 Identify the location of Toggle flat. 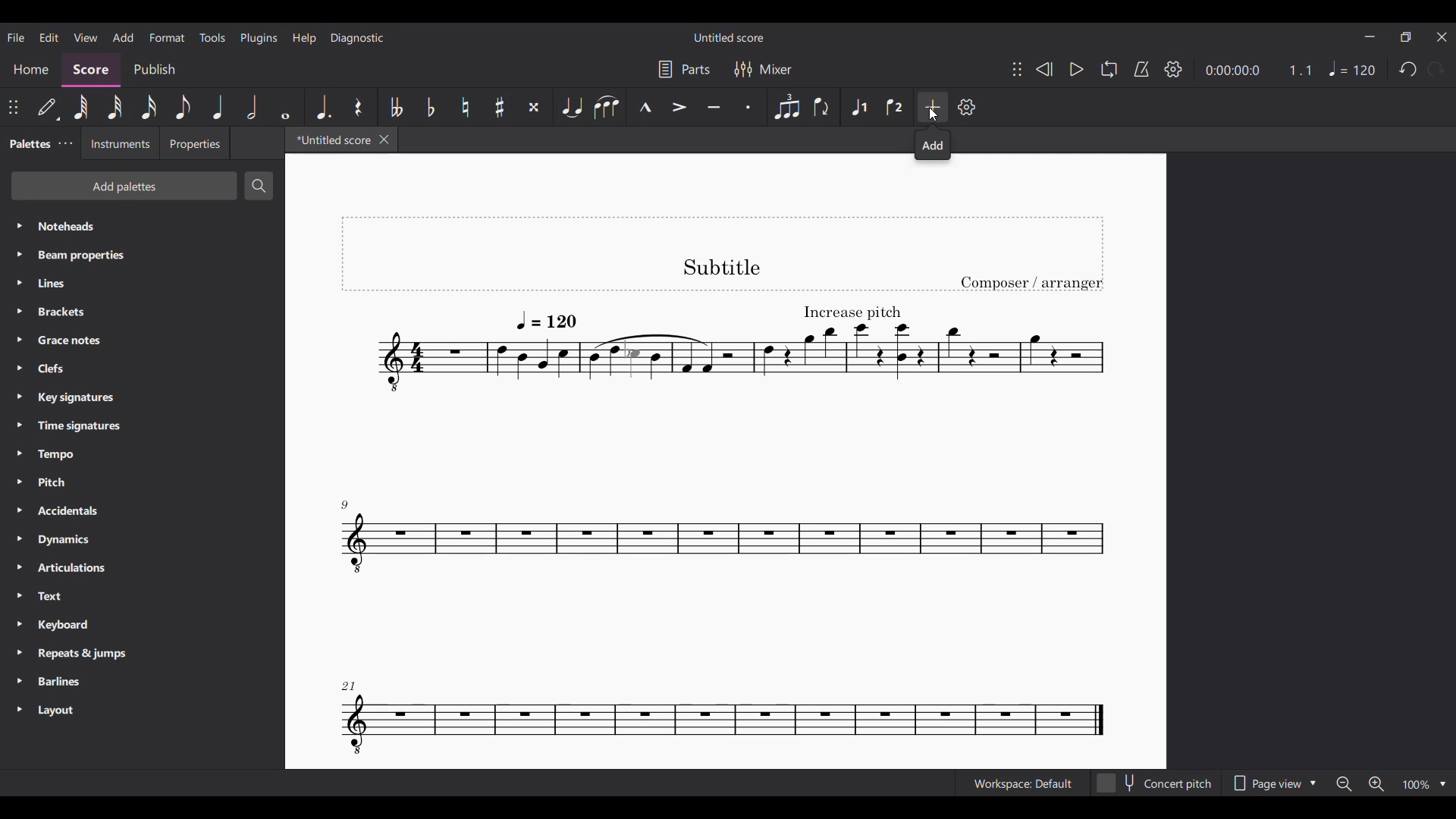
(431, 107).